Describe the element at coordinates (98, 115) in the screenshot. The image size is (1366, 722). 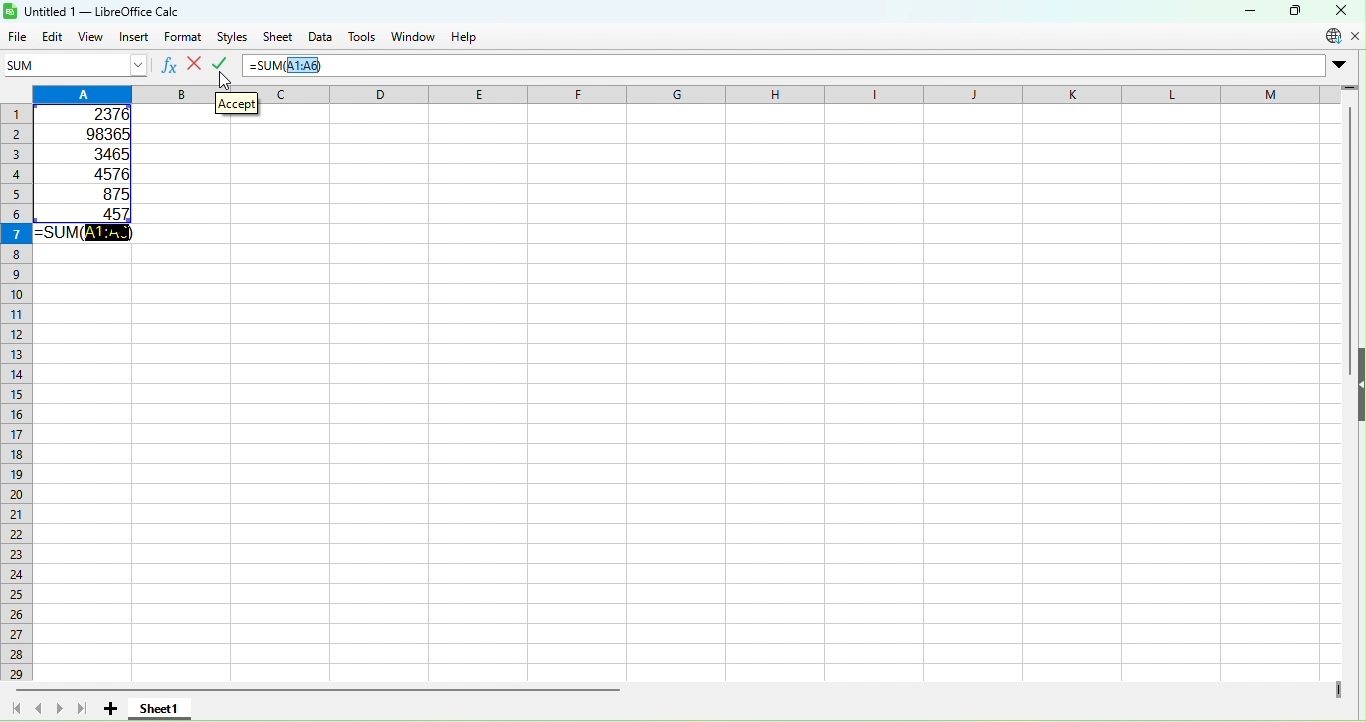
I see `2376` at that location.